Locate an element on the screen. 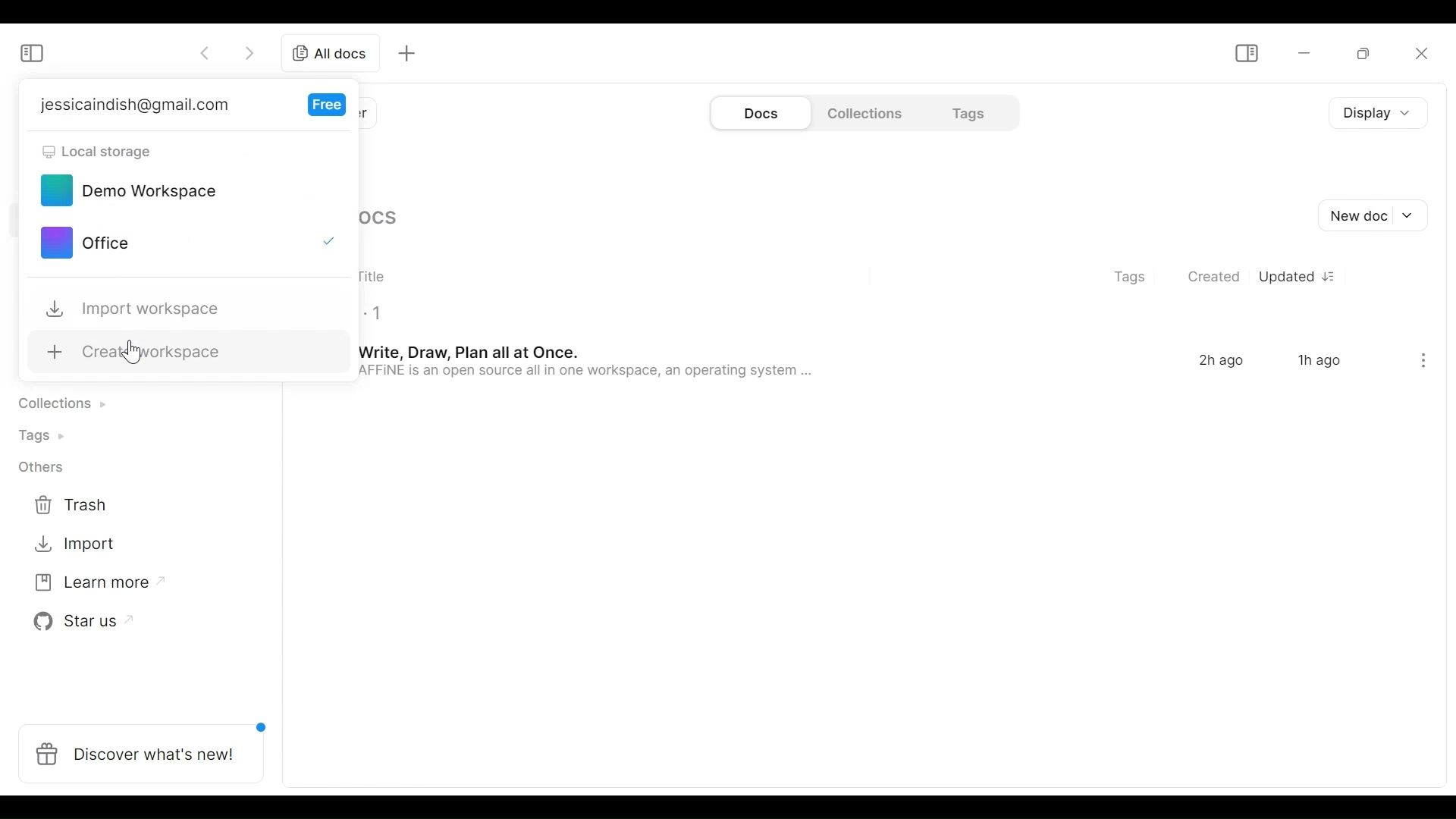  minimize is located at coordinates (1302, 52).